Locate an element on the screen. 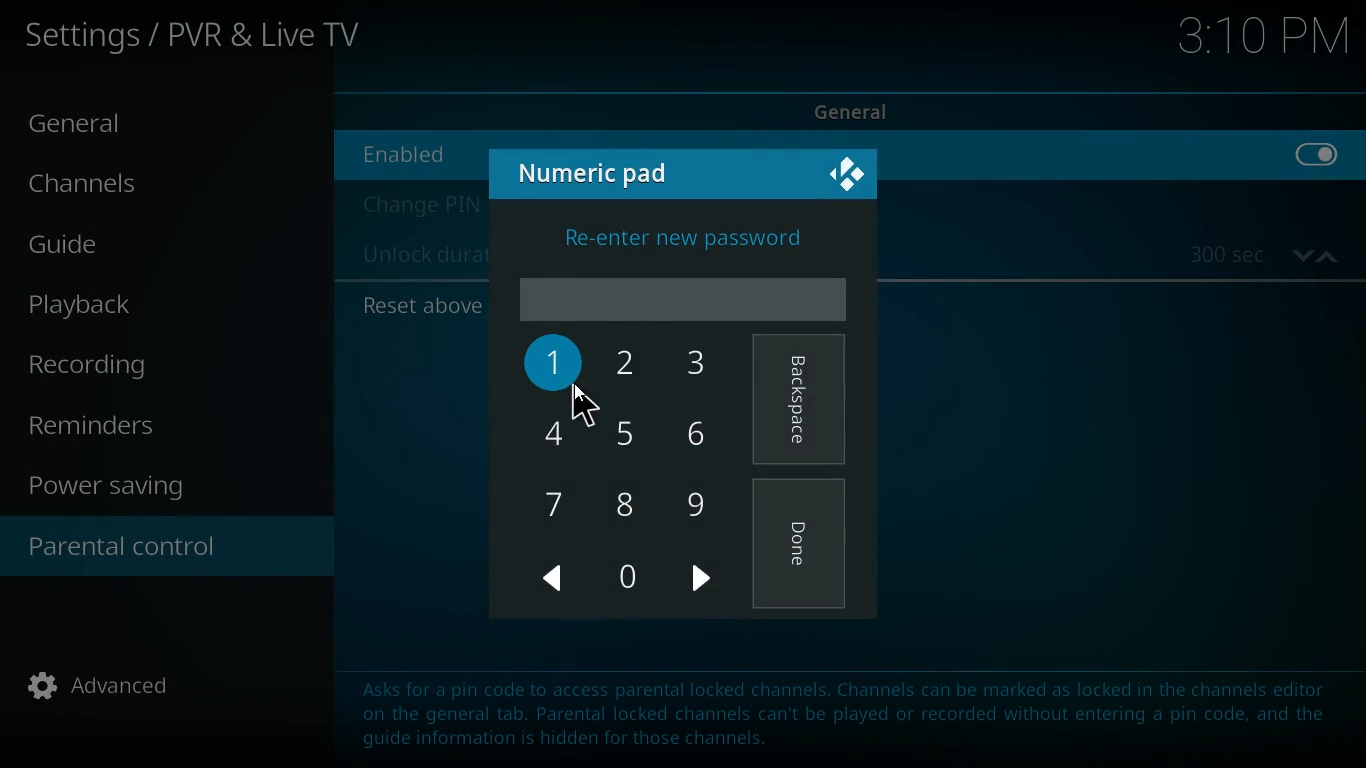 Image resolution: width=1366 pixels, height=768 pixels. advanced is located at coordinates (114, 692).